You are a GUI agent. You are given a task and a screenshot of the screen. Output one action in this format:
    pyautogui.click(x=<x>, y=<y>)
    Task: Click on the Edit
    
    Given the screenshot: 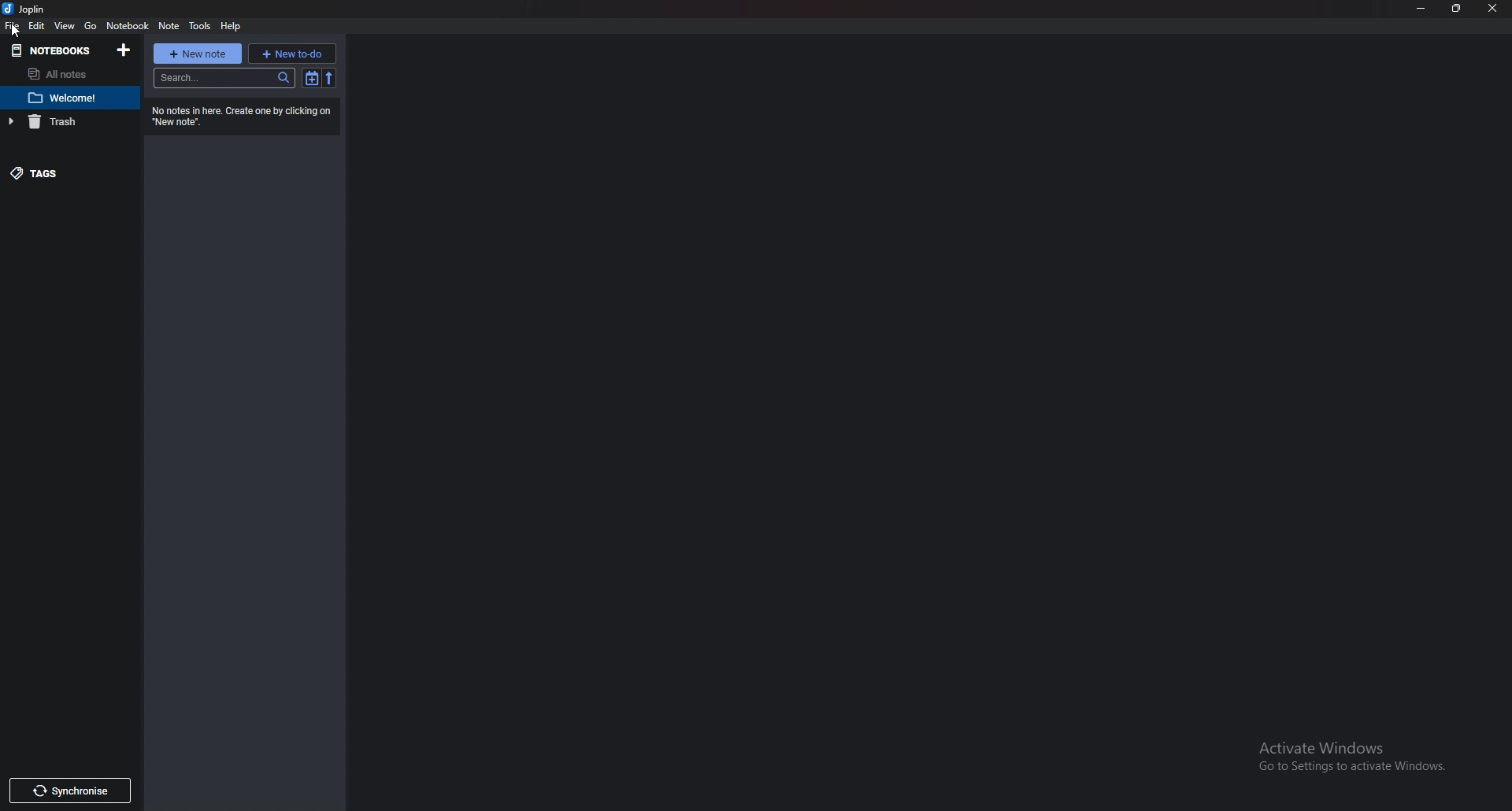 What is the action you would take?
    pyautogui.click(x=37, y=26)
    